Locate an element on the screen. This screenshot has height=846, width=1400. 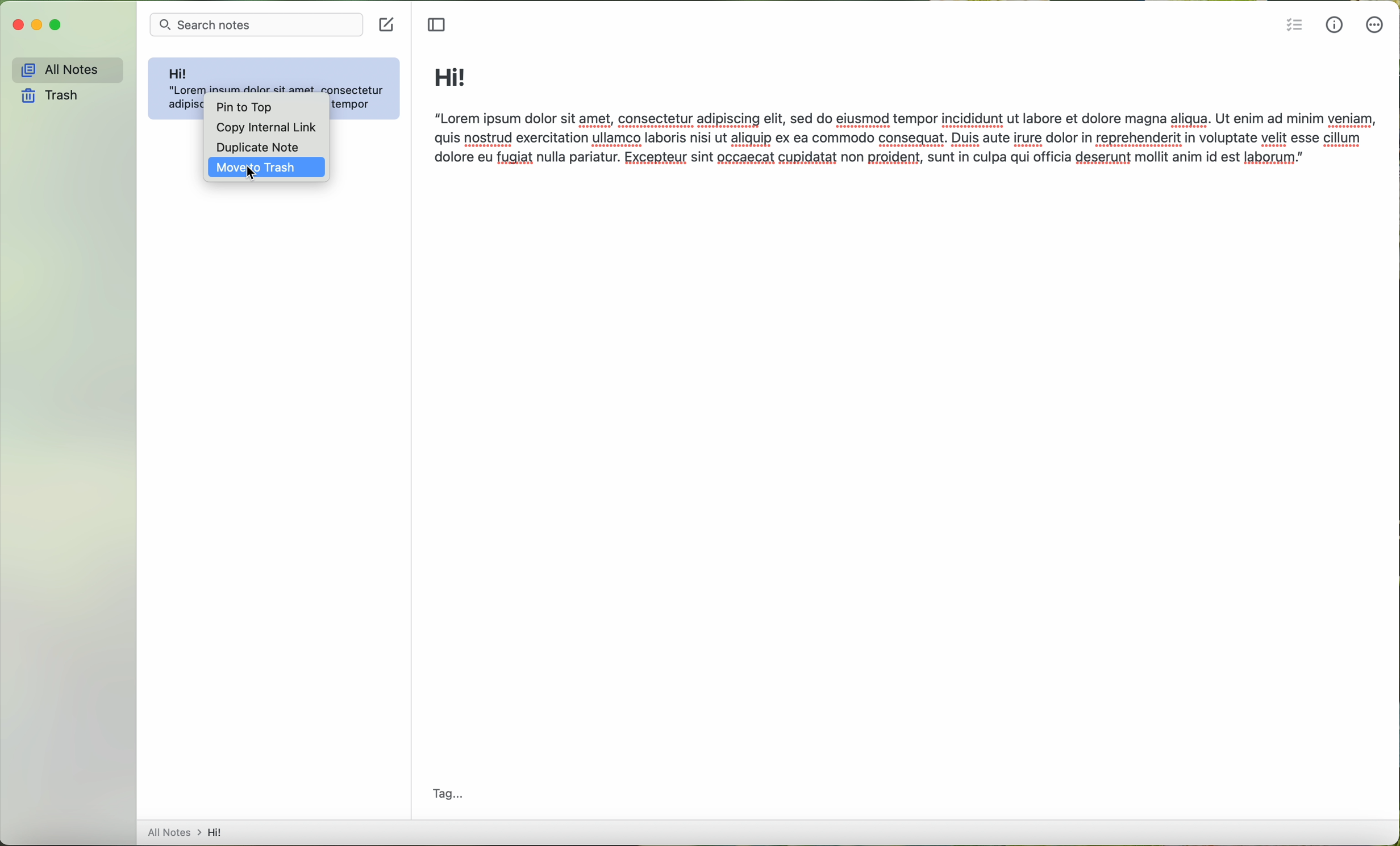
more options is located at coordinates (1377, 28).